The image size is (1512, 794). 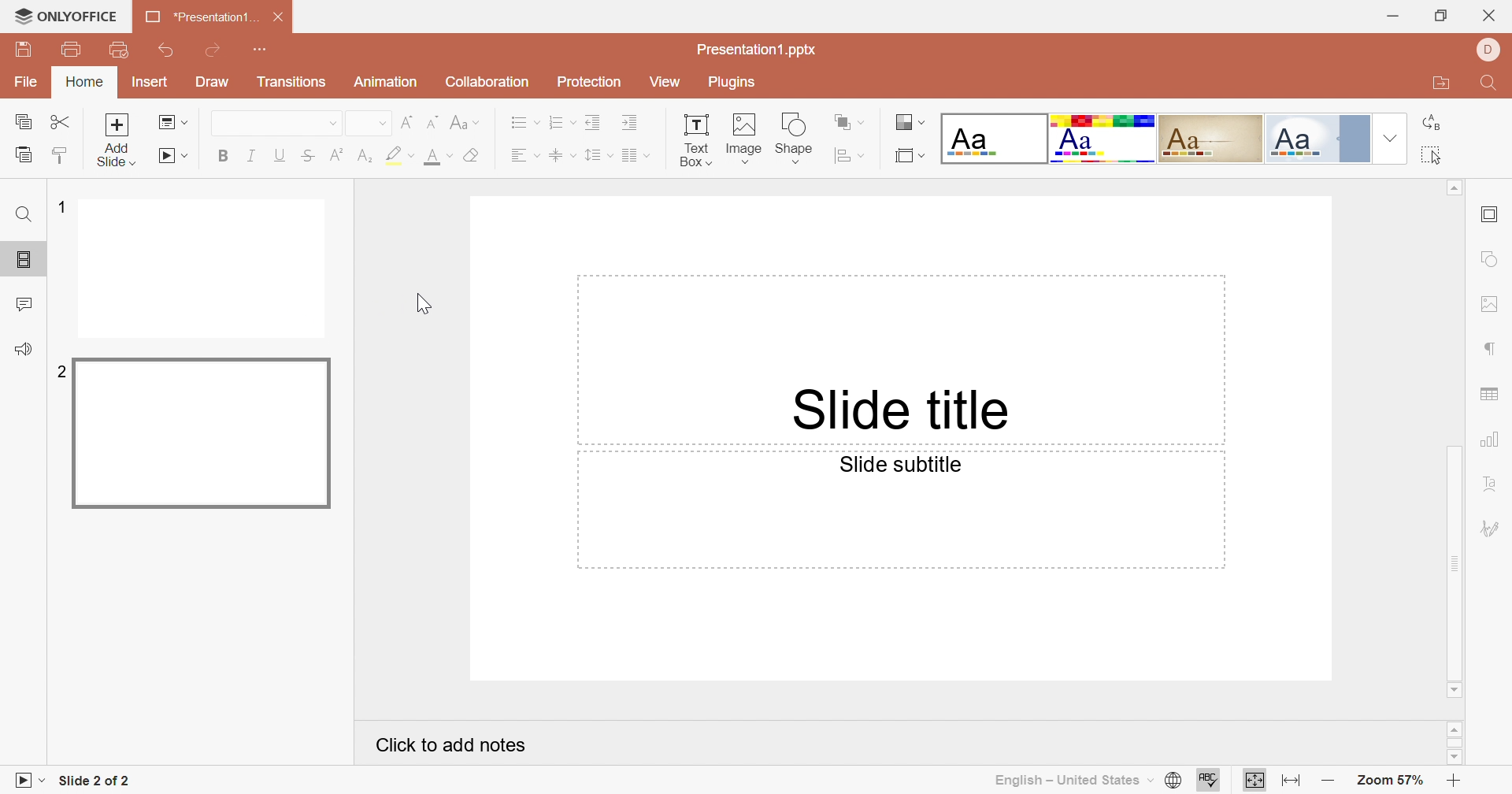 I want to click on Minimize, so click(x=1392, y=14).